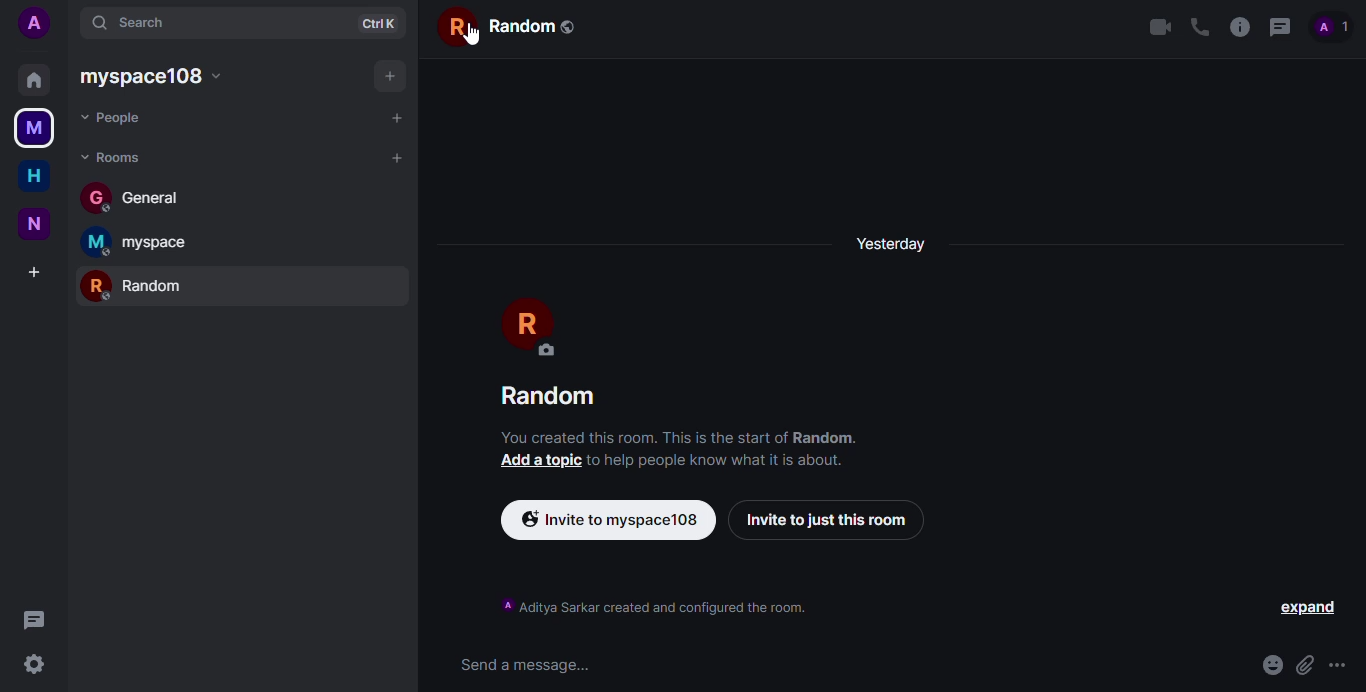 The image size is (1366, 692). What do you see at coordinates (139, 197) in the screenshot?
I see `general` at bounding box center [139, 197].